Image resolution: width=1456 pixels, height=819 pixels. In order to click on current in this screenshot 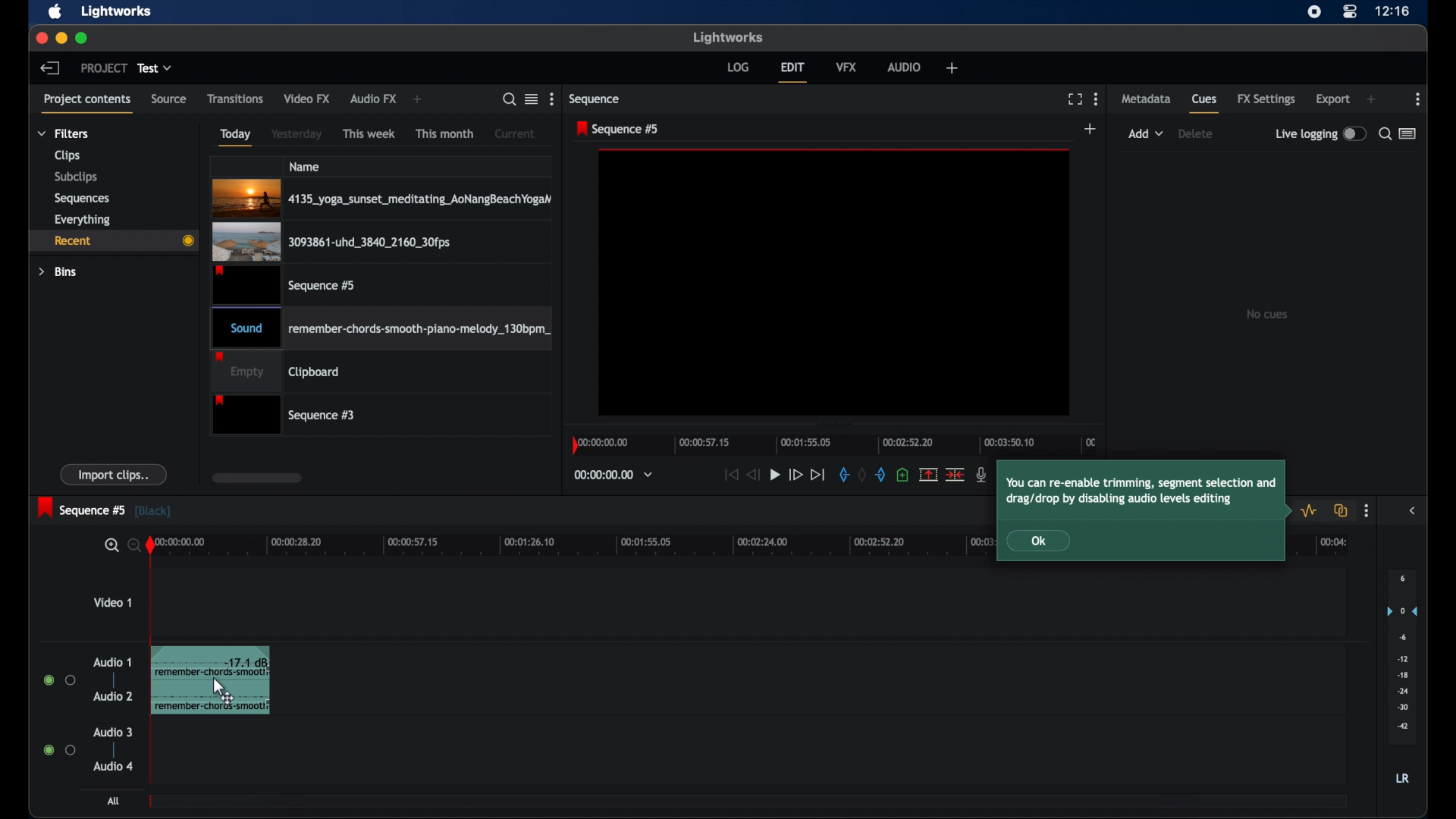, I will do `click(515, 133)`.